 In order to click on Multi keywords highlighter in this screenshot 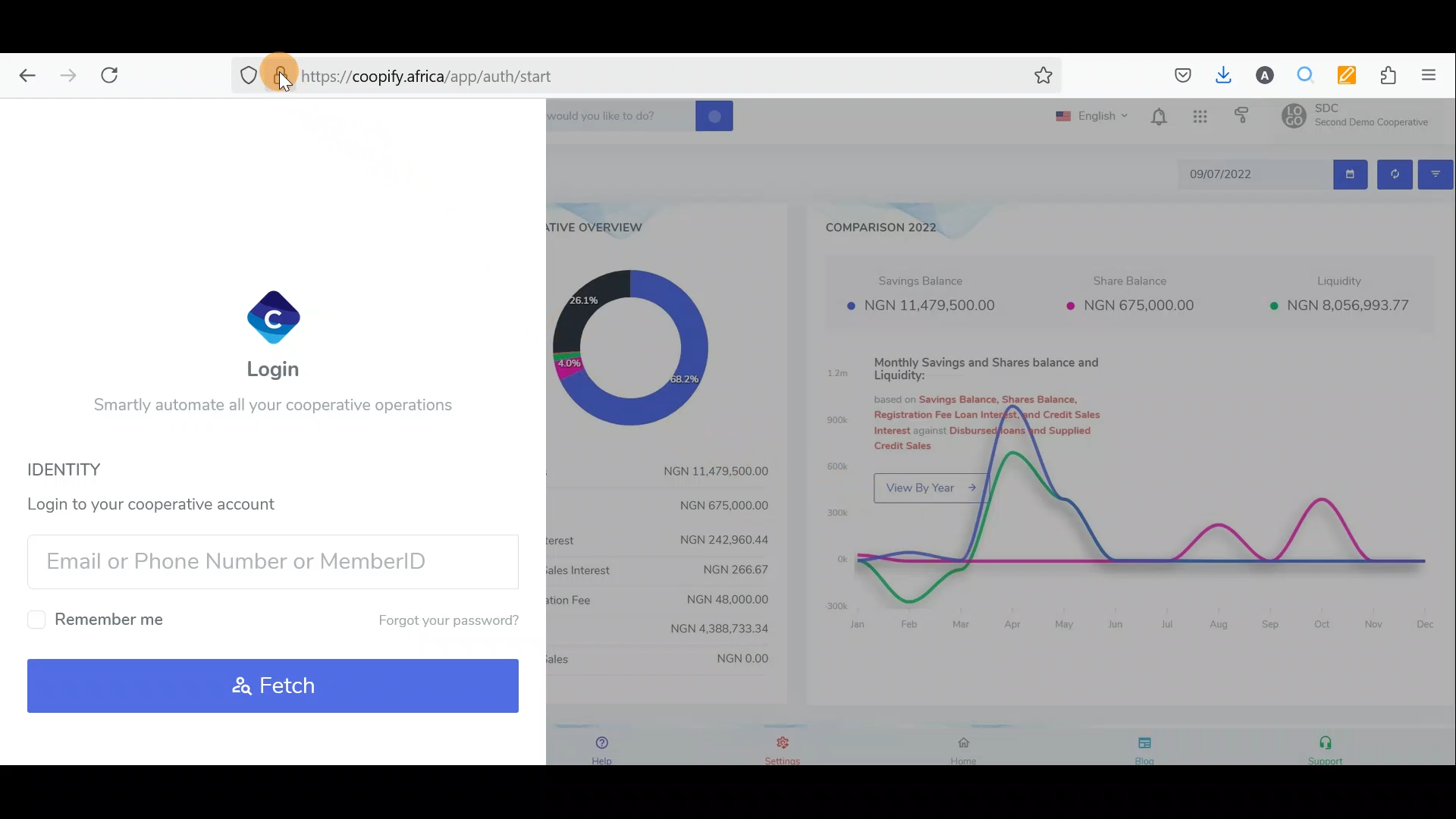, I will do `click(1340, 75)`.